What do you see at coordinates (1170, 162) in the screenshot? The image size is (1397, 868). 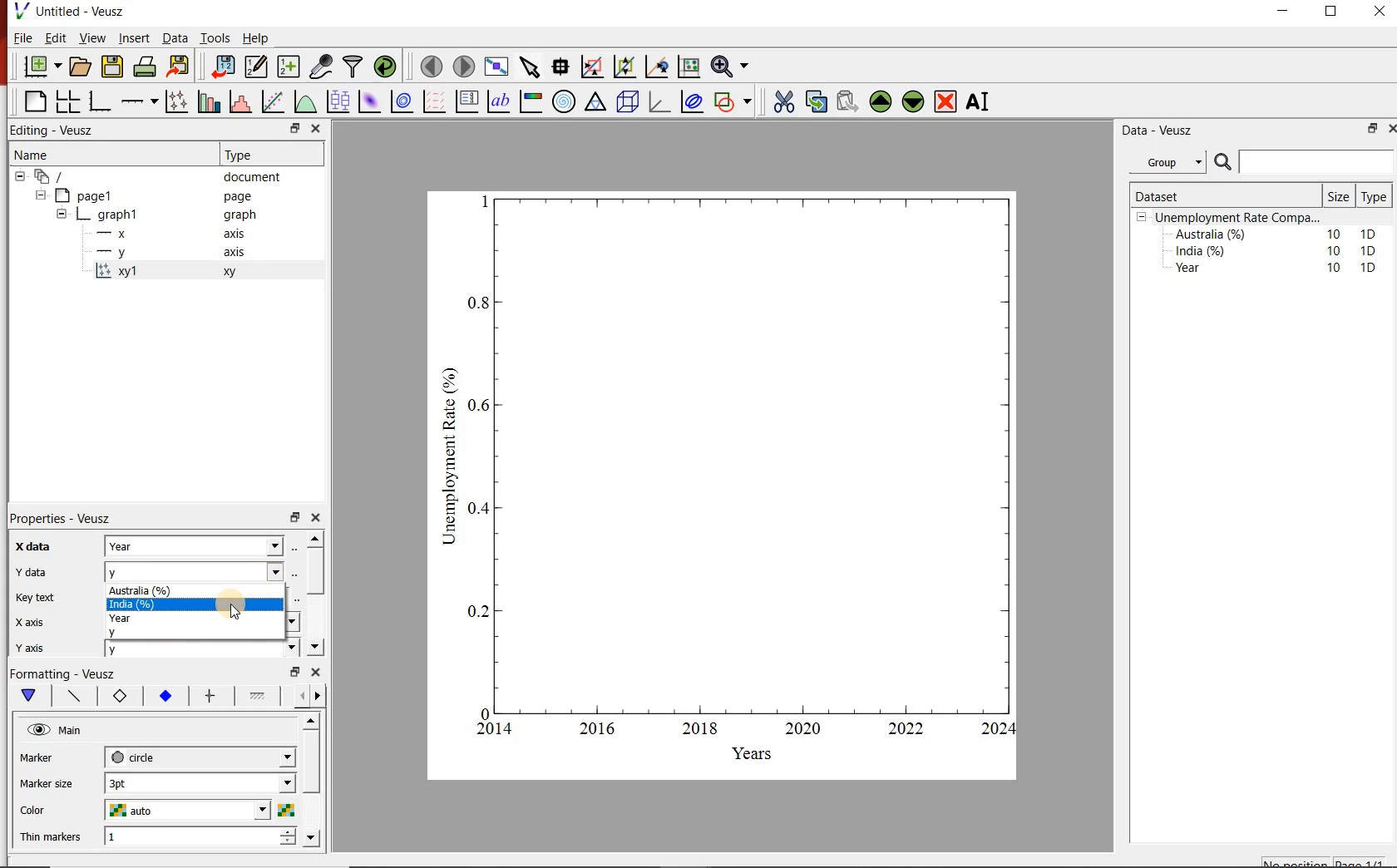 I see `Group` at bounding box center [1170, 162].